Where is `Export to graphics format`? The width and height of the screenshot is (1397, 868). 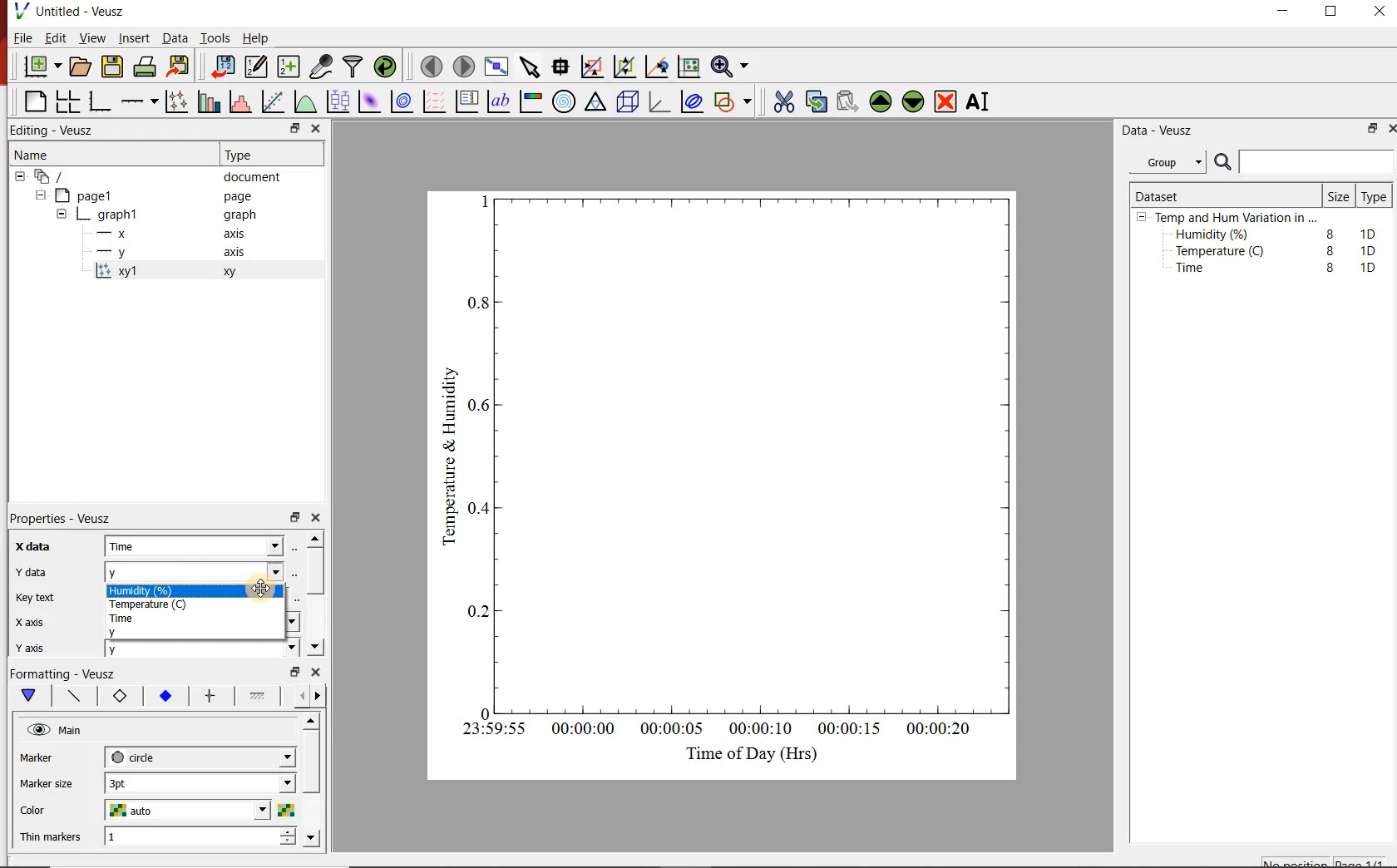
Export to graphics format is located at coordinates (180, 66).